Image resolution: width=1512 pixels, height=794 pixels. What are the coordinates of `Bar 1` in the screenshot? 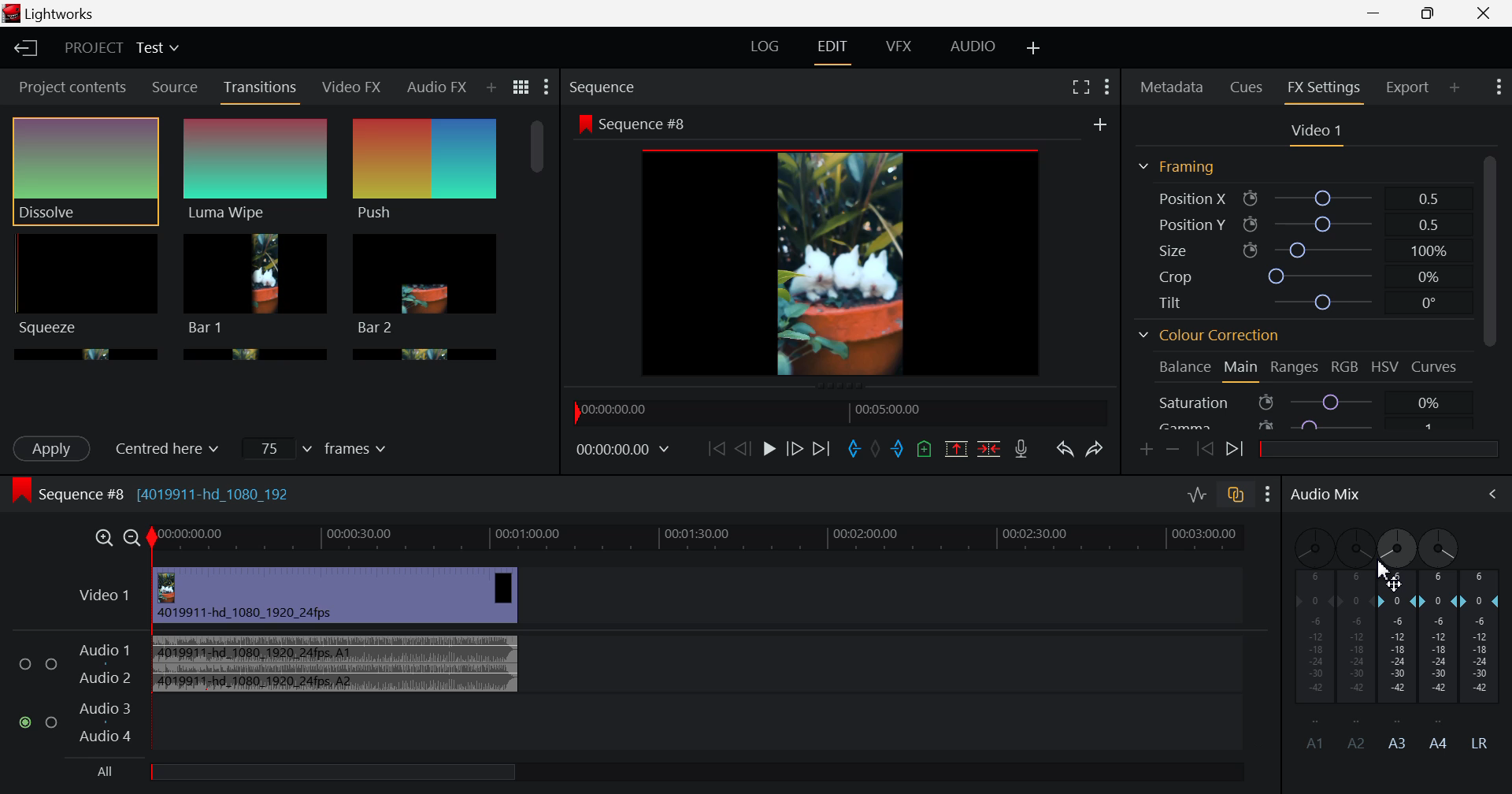 It's located at (425, 284).